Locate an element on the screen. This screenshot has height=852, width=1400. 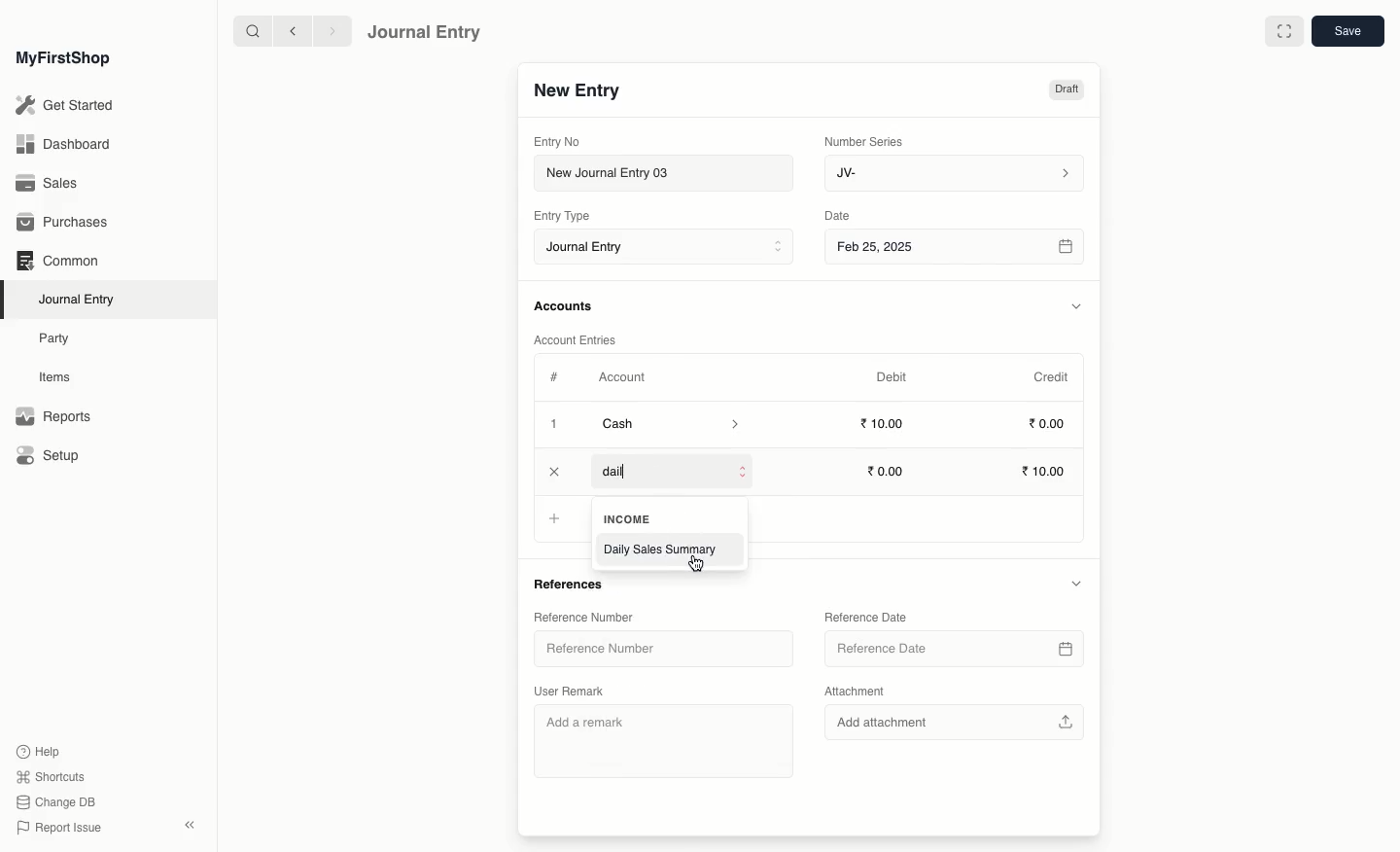
10.00 is located at coordinates (891, 471).